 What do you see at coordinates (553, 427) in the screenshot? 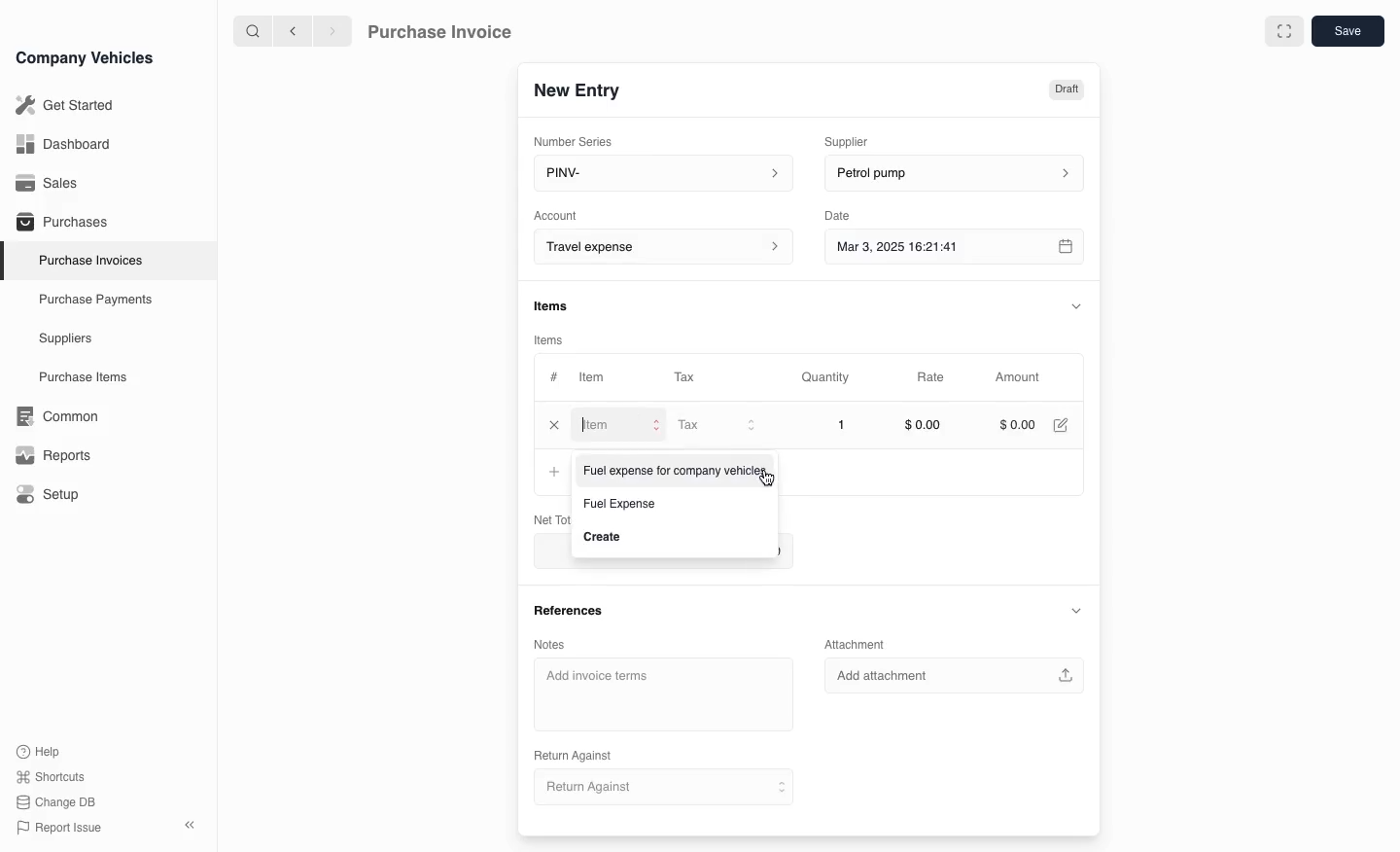
I see `close` at bounding box center [553, 427].